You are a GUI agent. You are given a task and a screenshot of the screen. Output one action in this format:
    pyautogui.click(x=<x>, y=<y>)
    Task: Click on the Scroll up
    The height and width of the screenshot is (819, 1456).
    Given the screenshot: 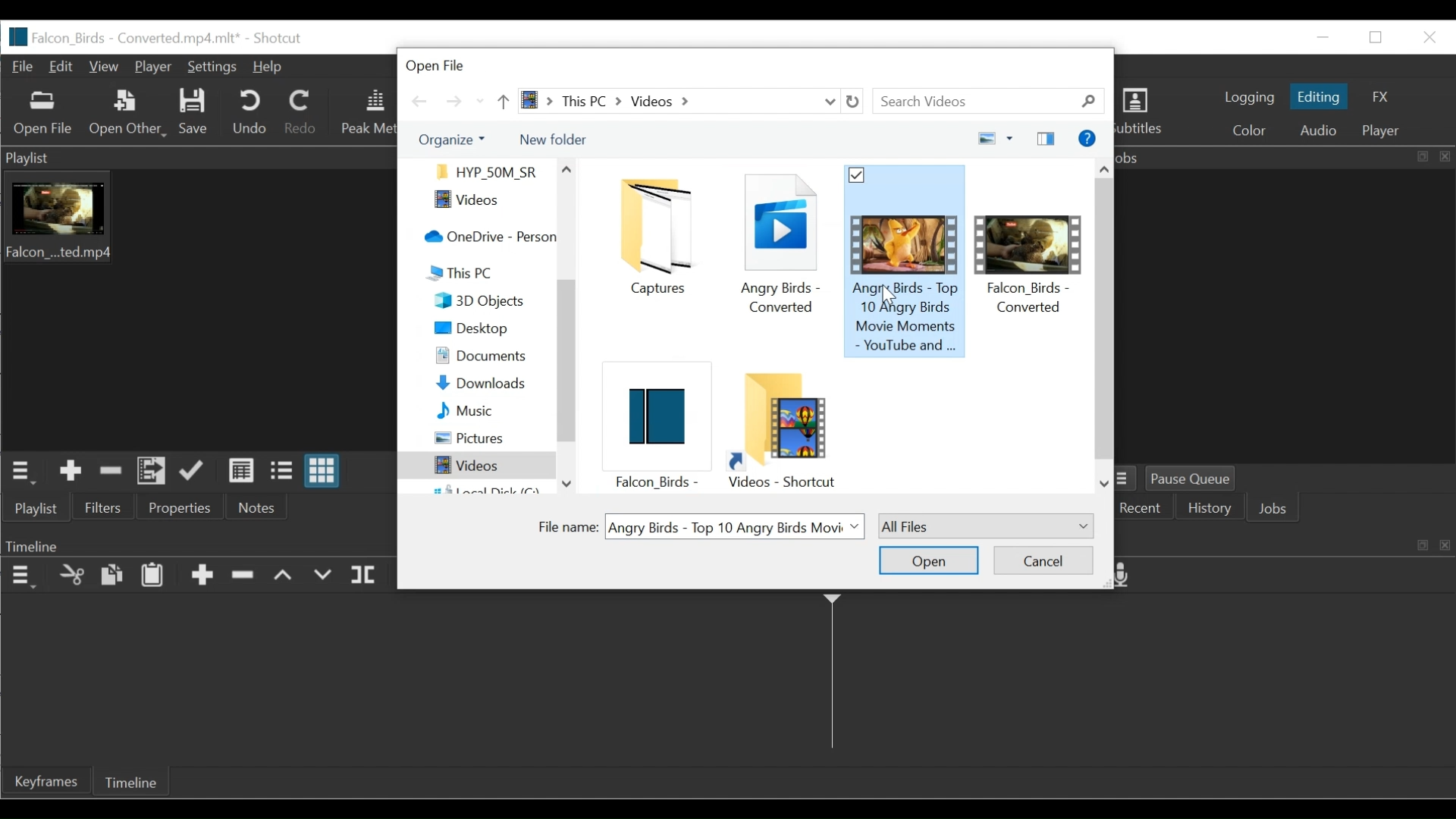 What is the action you would take?
    pyautogui.click(x=567, y=169)
    